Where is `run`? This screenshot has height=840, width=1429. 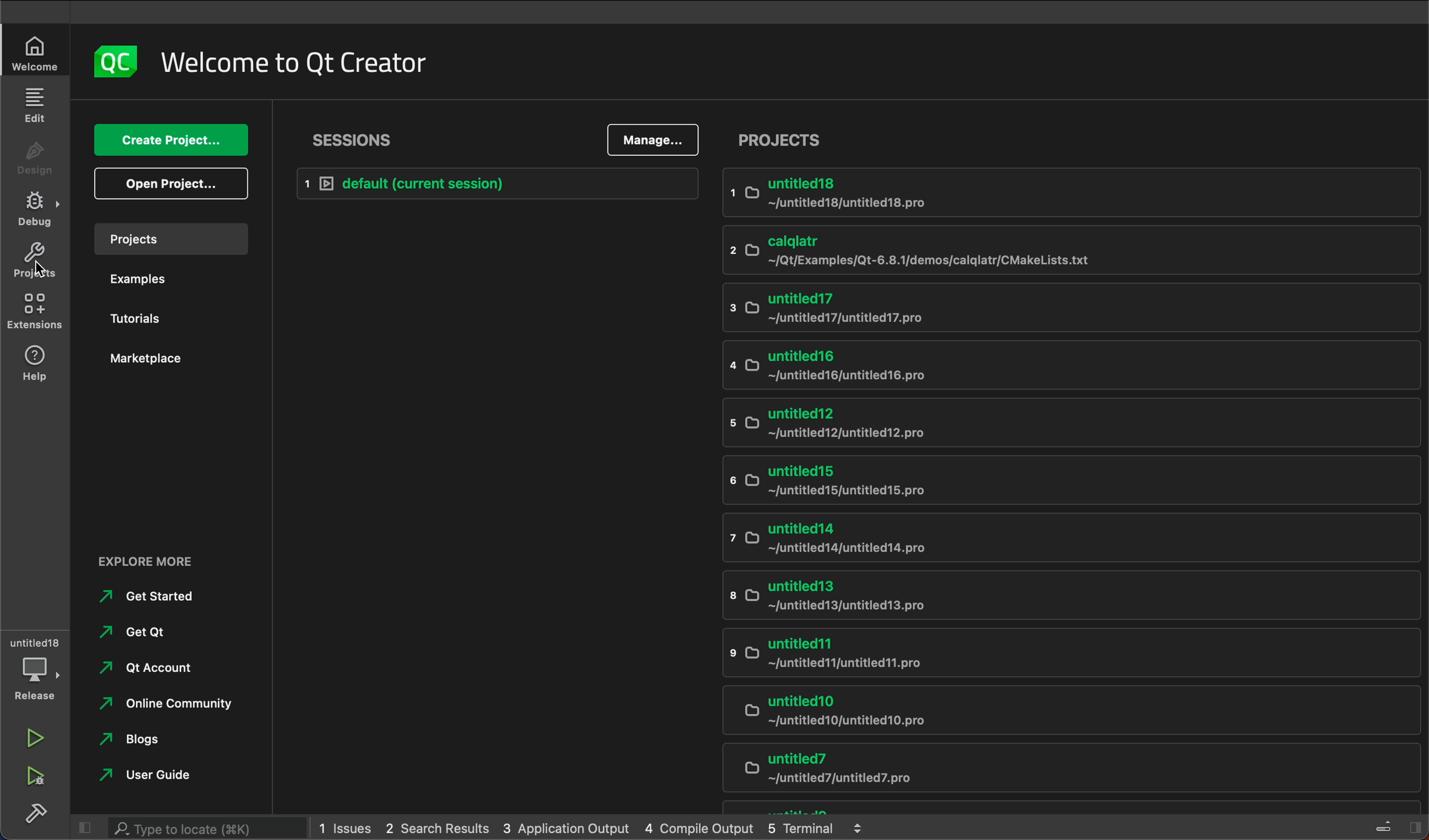
run is located at coordinates (36, 735).